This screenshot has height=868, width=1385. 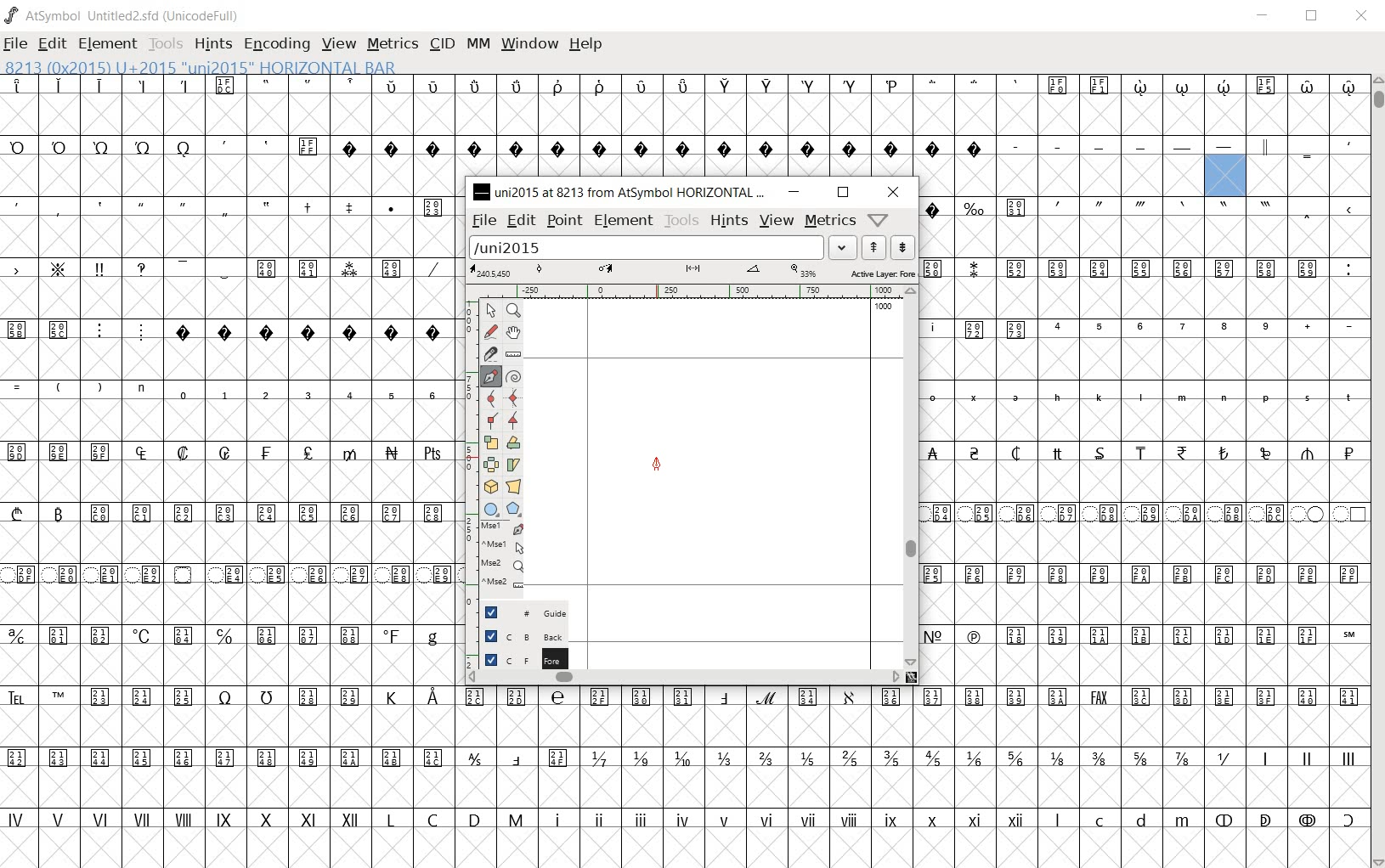 What do you see at coordinates (1378, 471) in the screenshot?
I see `SCROLLBAR` at bounding box center [1378, 471].